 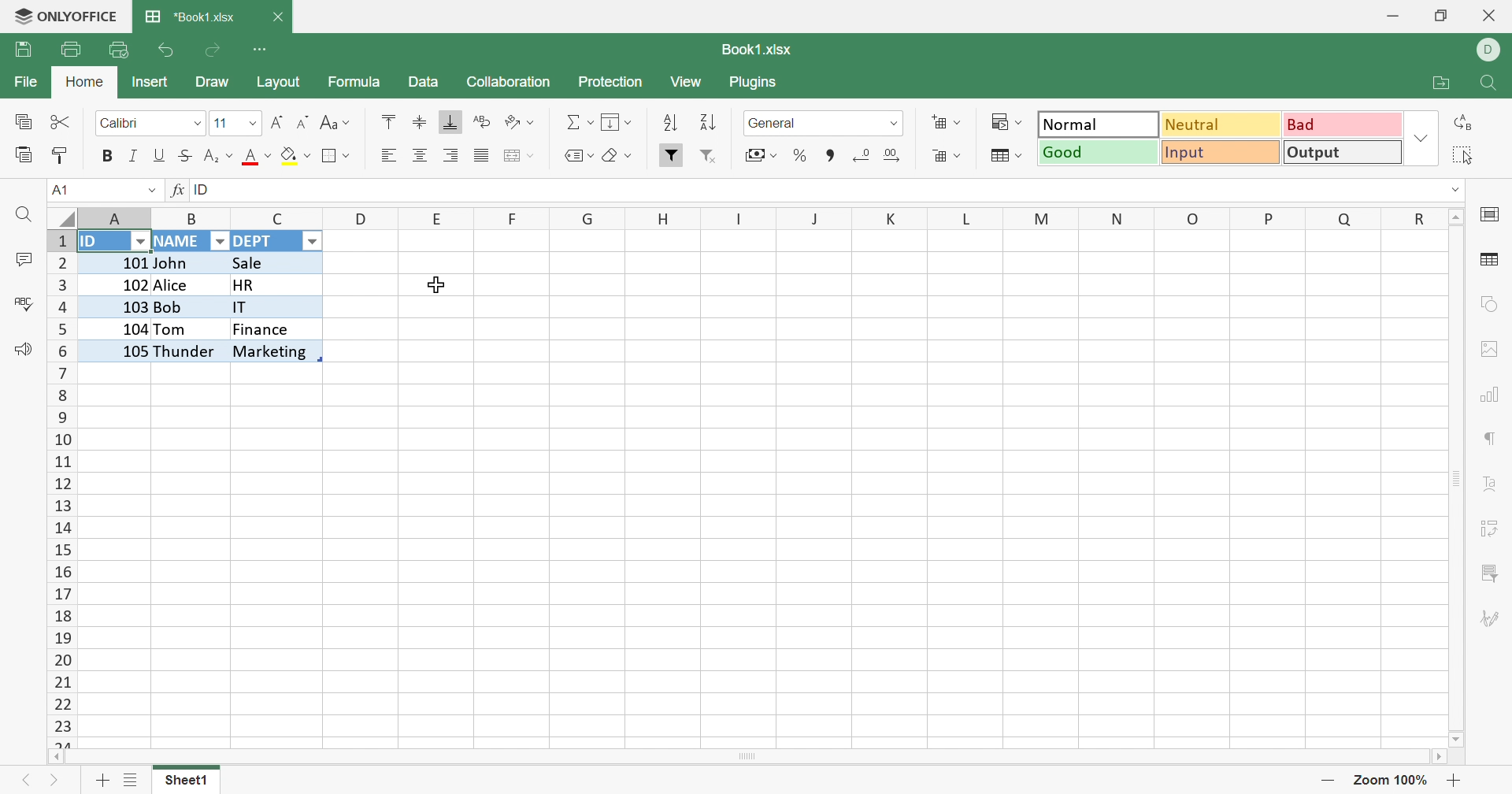 What do you see at coordinates (511, 83) in the screenshot?
I see `Collaboration` at bounding box center [511, 83].